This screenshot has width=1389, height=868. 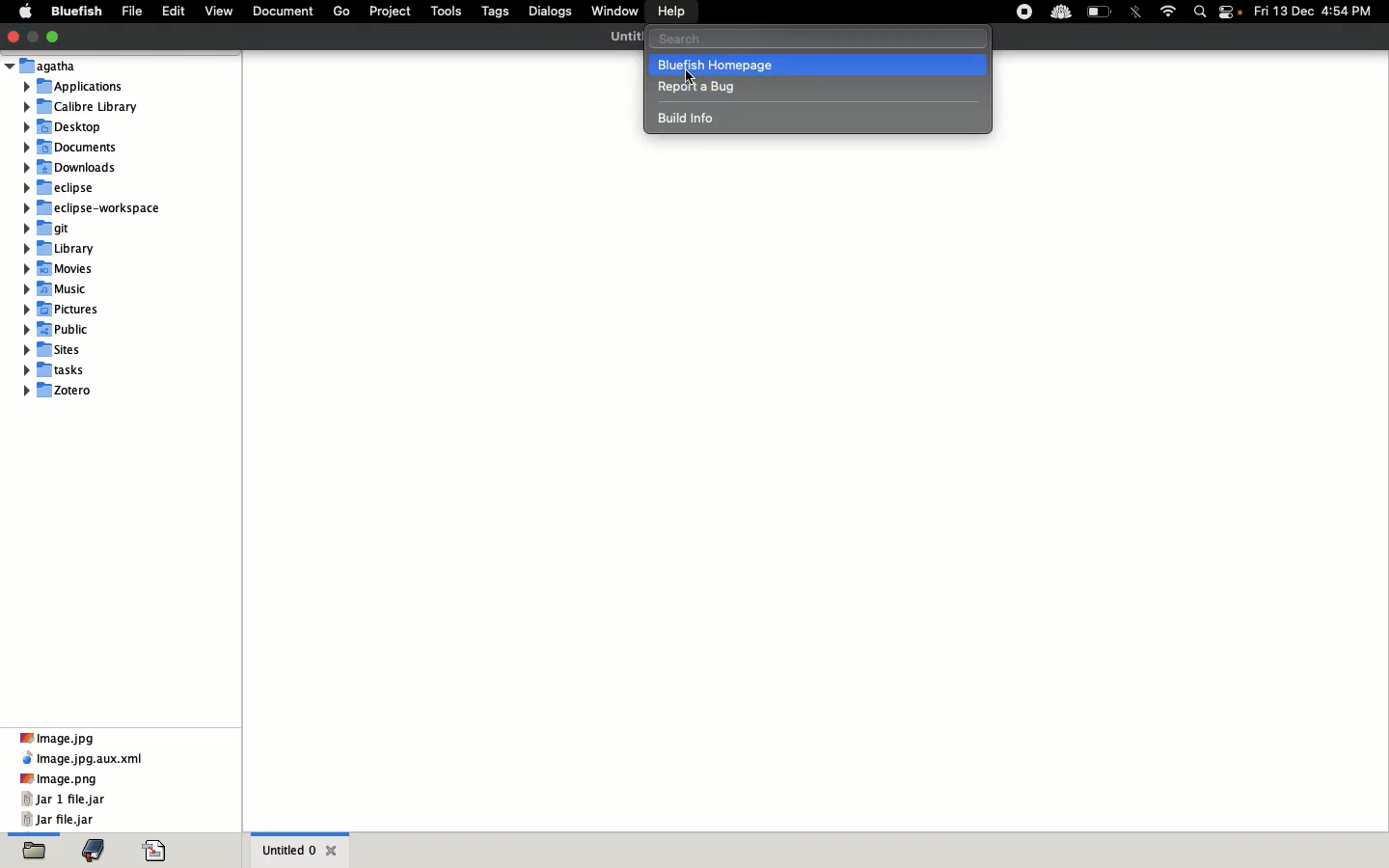 I want to click on Report a bug, so click(x=701, y=87).